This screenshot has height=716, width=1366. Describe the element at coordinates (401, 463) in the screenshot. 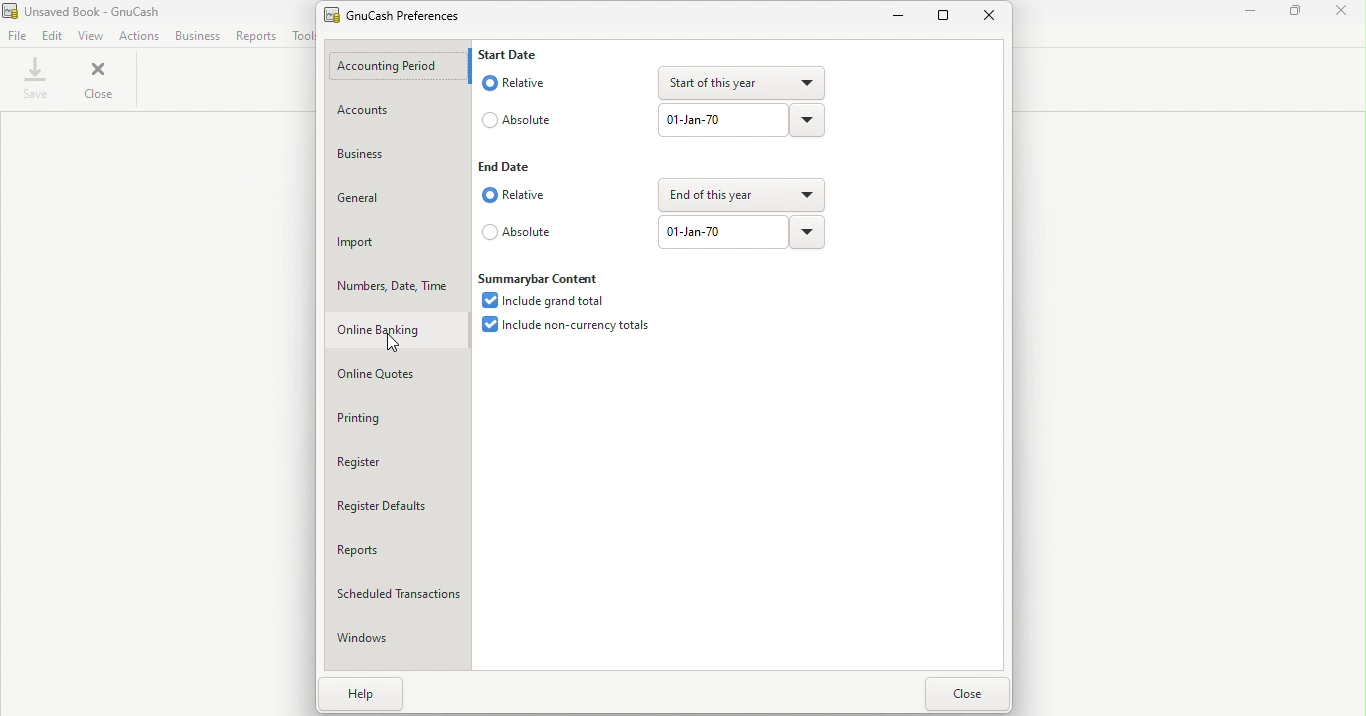

I see `Register` at that location.